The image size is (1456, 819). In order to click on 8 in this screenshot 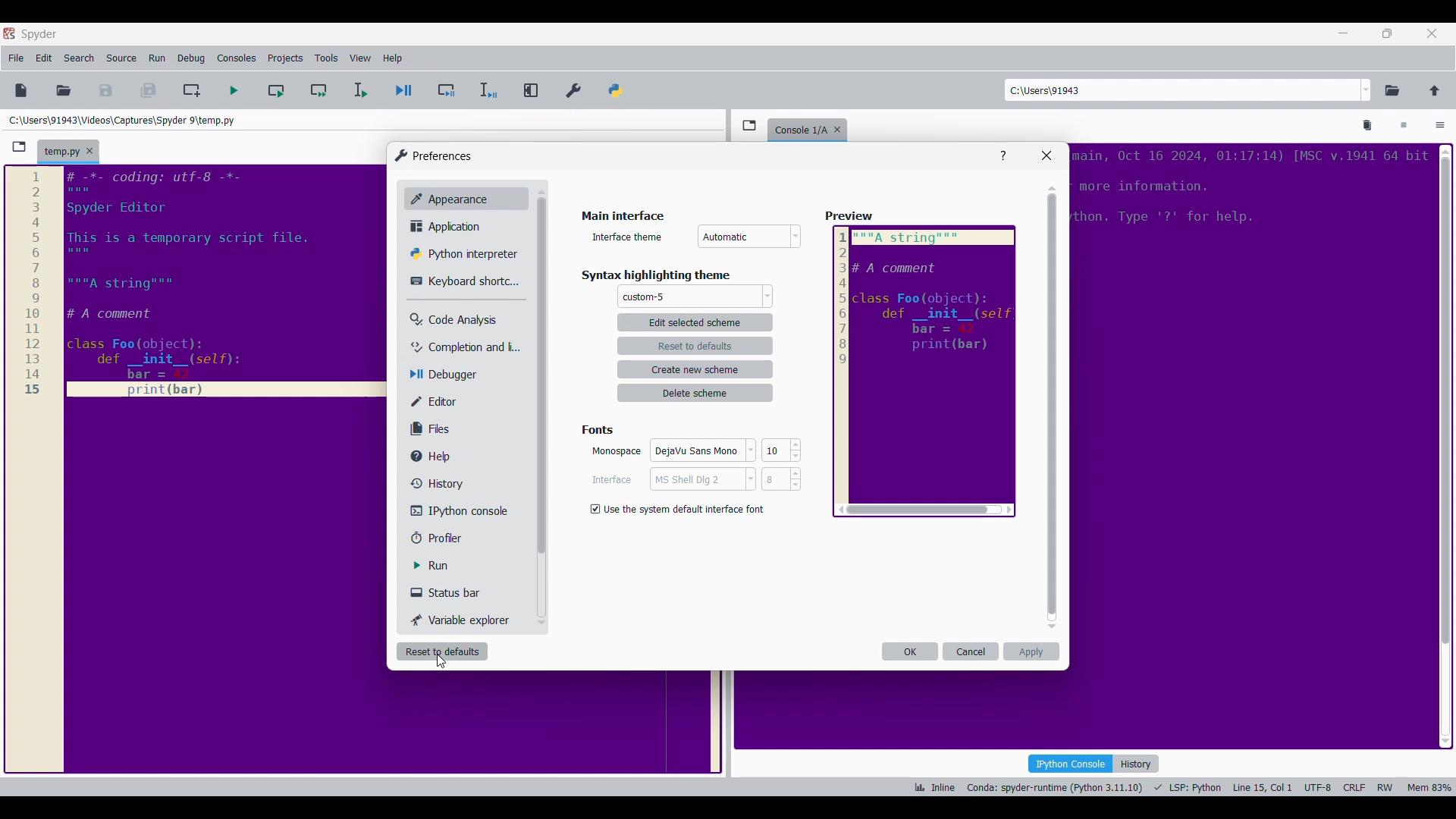, I will do `click(783, 479)`.